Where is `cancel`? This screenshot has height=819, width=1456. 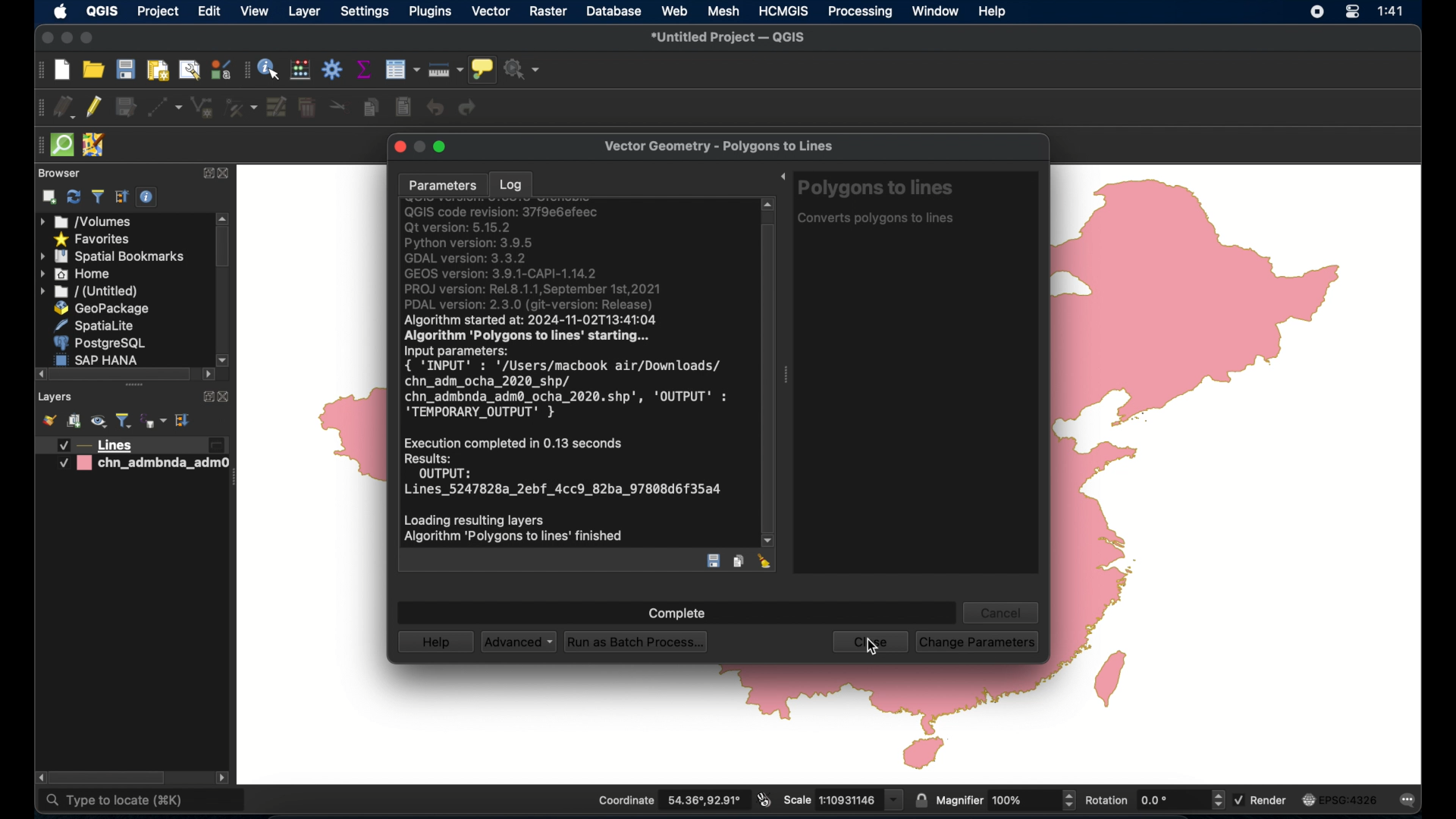
cancel is located at coordinates (1001, 612).